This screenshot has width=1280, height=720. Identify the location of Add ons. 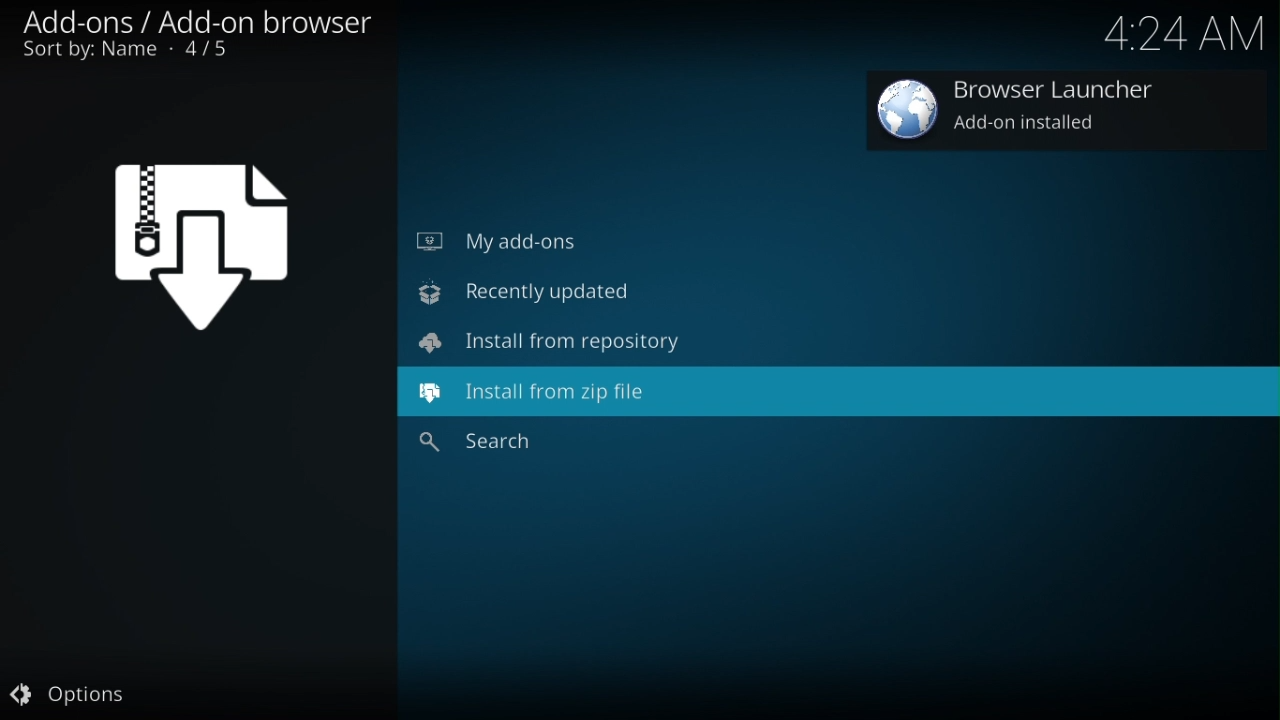
(205, 36).